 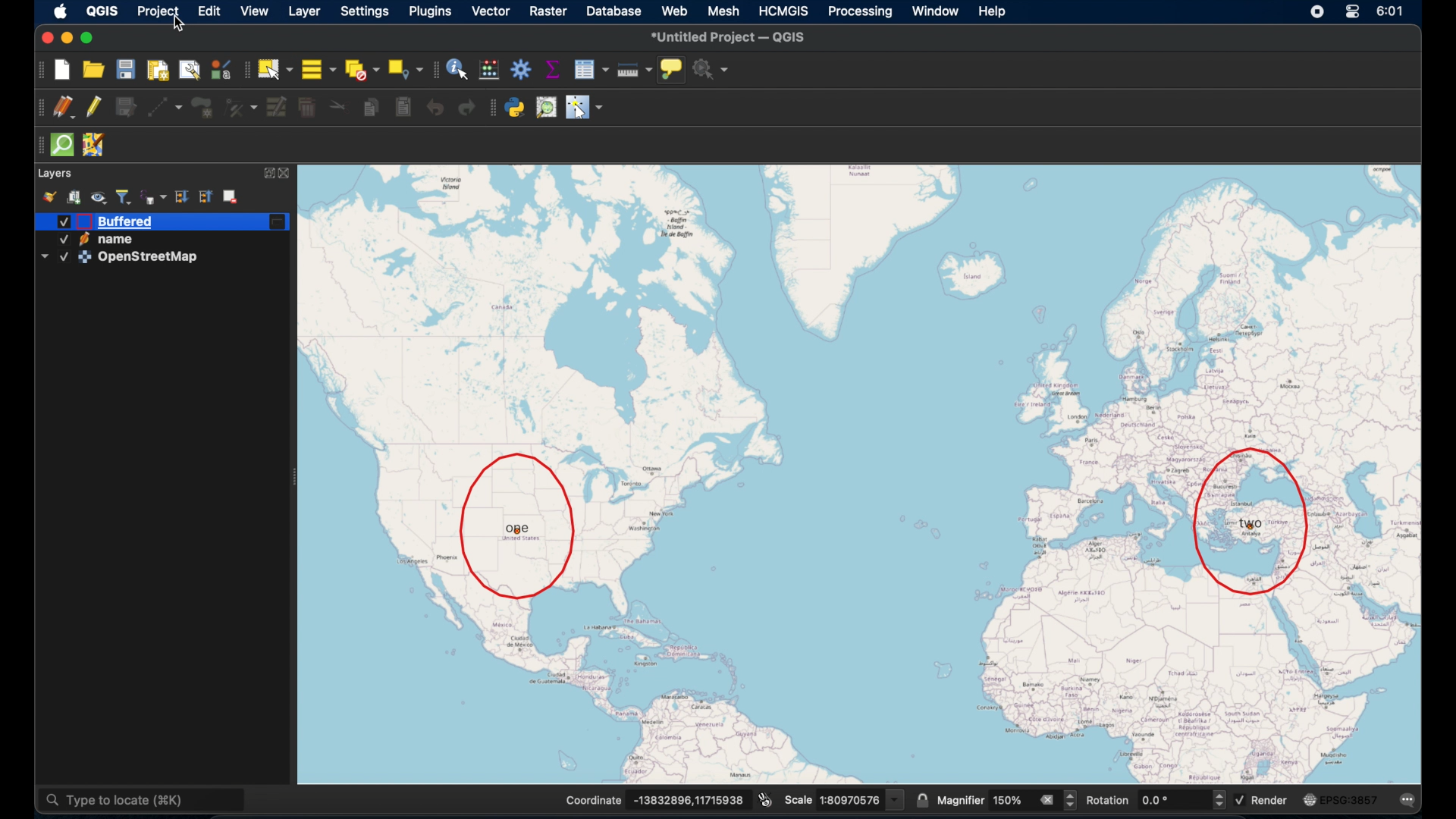 What do you see at coordinates (181, 196) in the screenshot?
I see `expand all` at bounding box center [181, 196].